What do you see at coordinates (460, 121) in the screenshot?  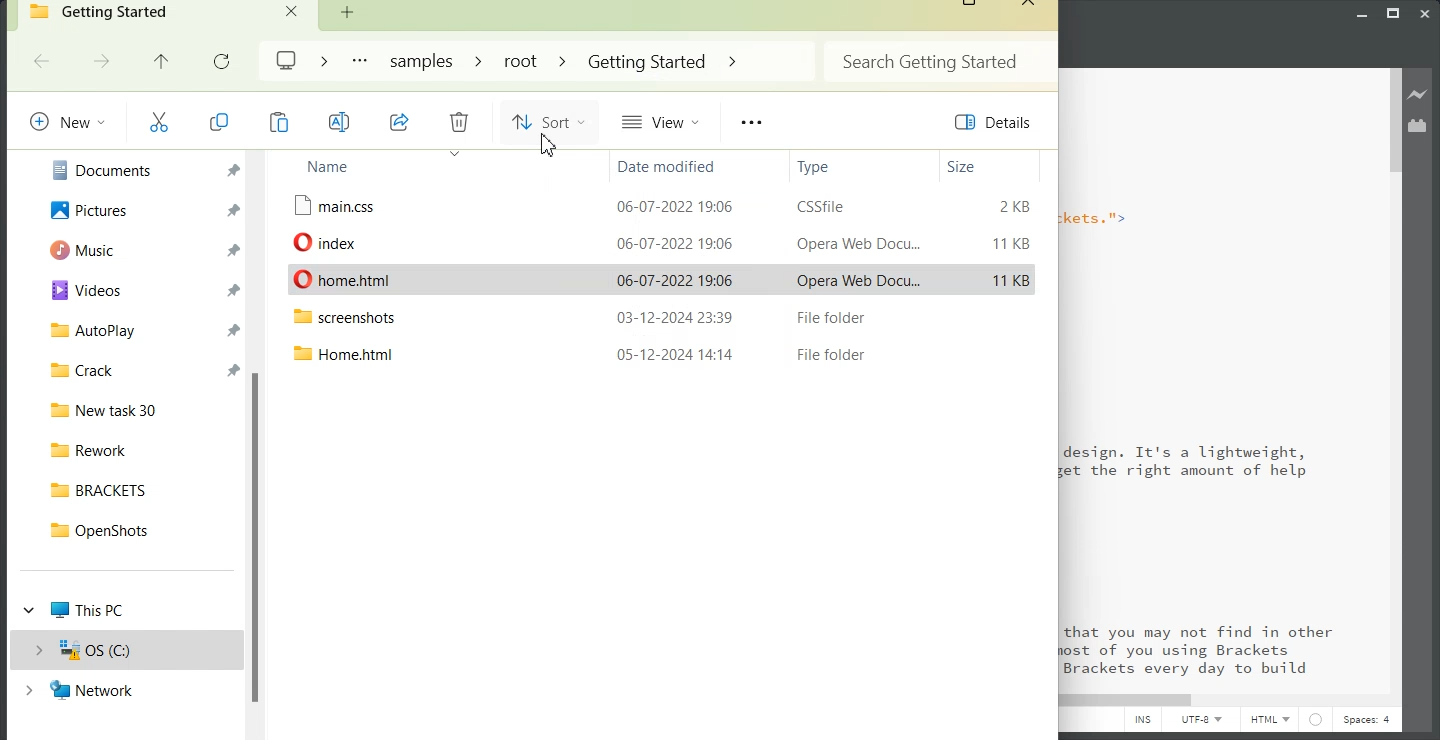 I see `Delete` at bounding box center [460, 121].